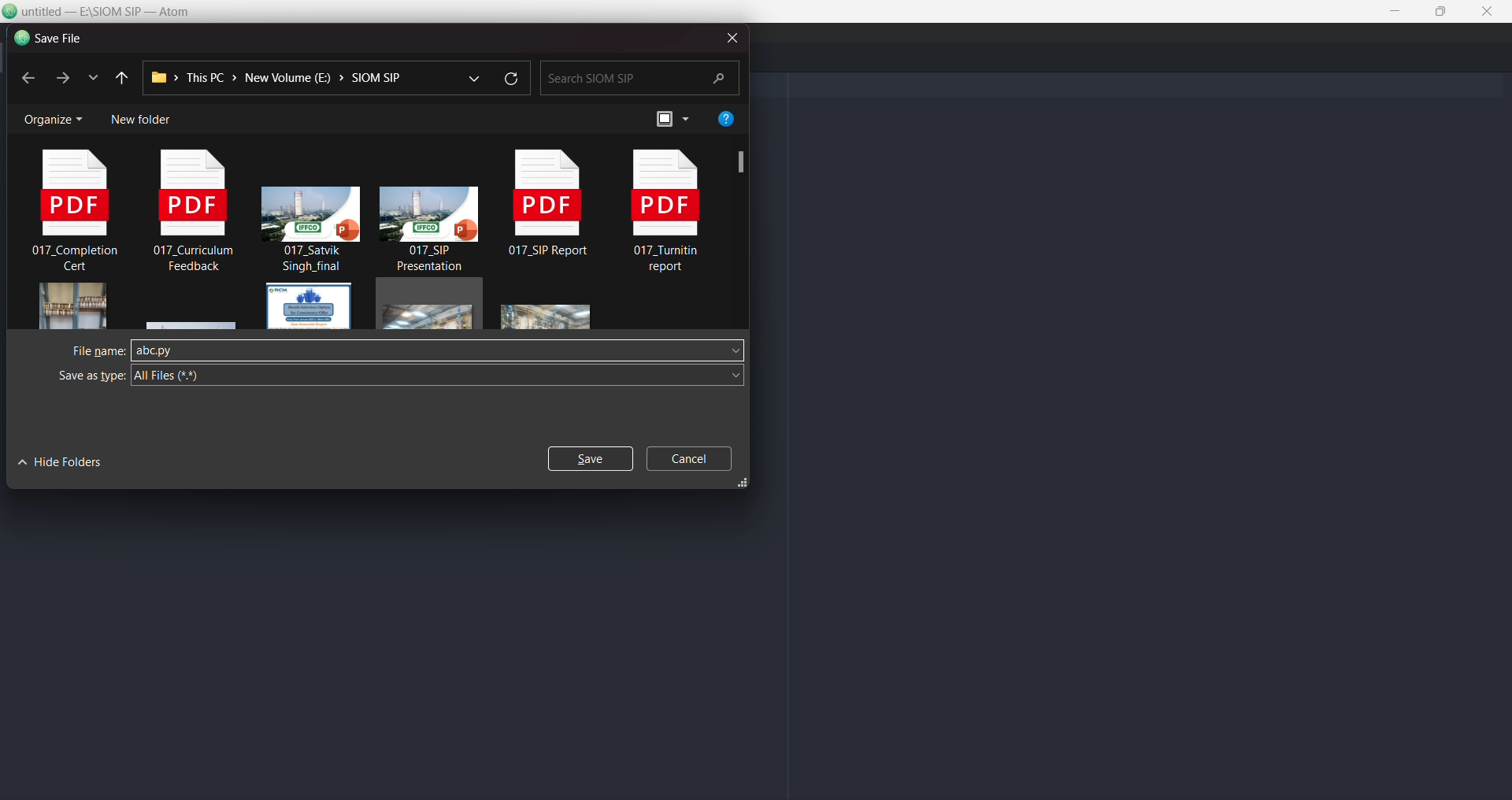 The width and height of the screenshot is (1512, 800). What do you see at coordinates (67, 465) in the screenshot?
I see `hide folders` at bounding box center [67, 465].